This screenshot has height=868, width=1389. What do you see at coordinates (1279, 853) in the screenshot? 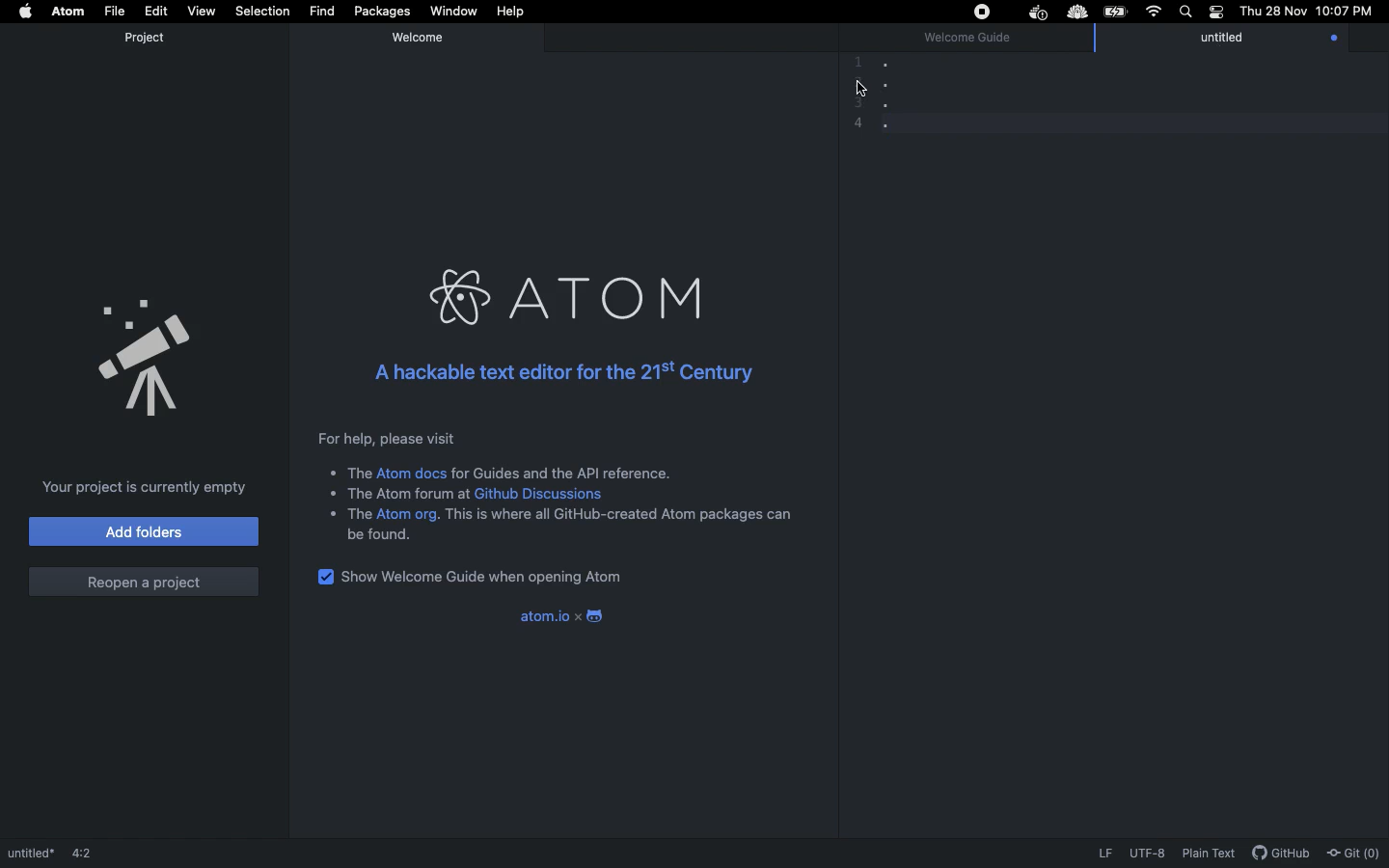
I see `Github` at bounding box center [1279, 853].